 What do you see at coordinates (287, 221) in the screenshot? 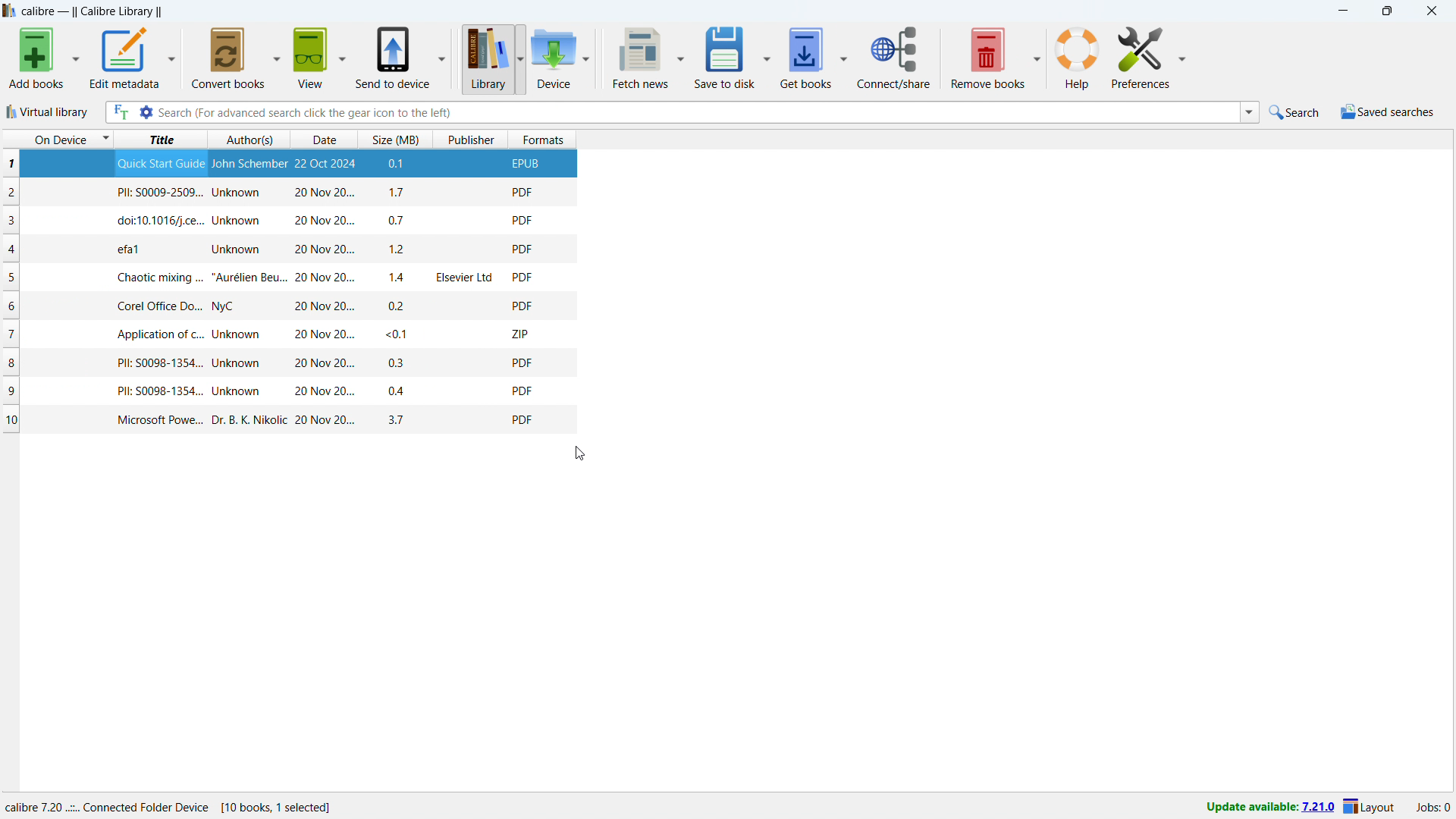
I see `one book entry` at bounding box center [287, 221].